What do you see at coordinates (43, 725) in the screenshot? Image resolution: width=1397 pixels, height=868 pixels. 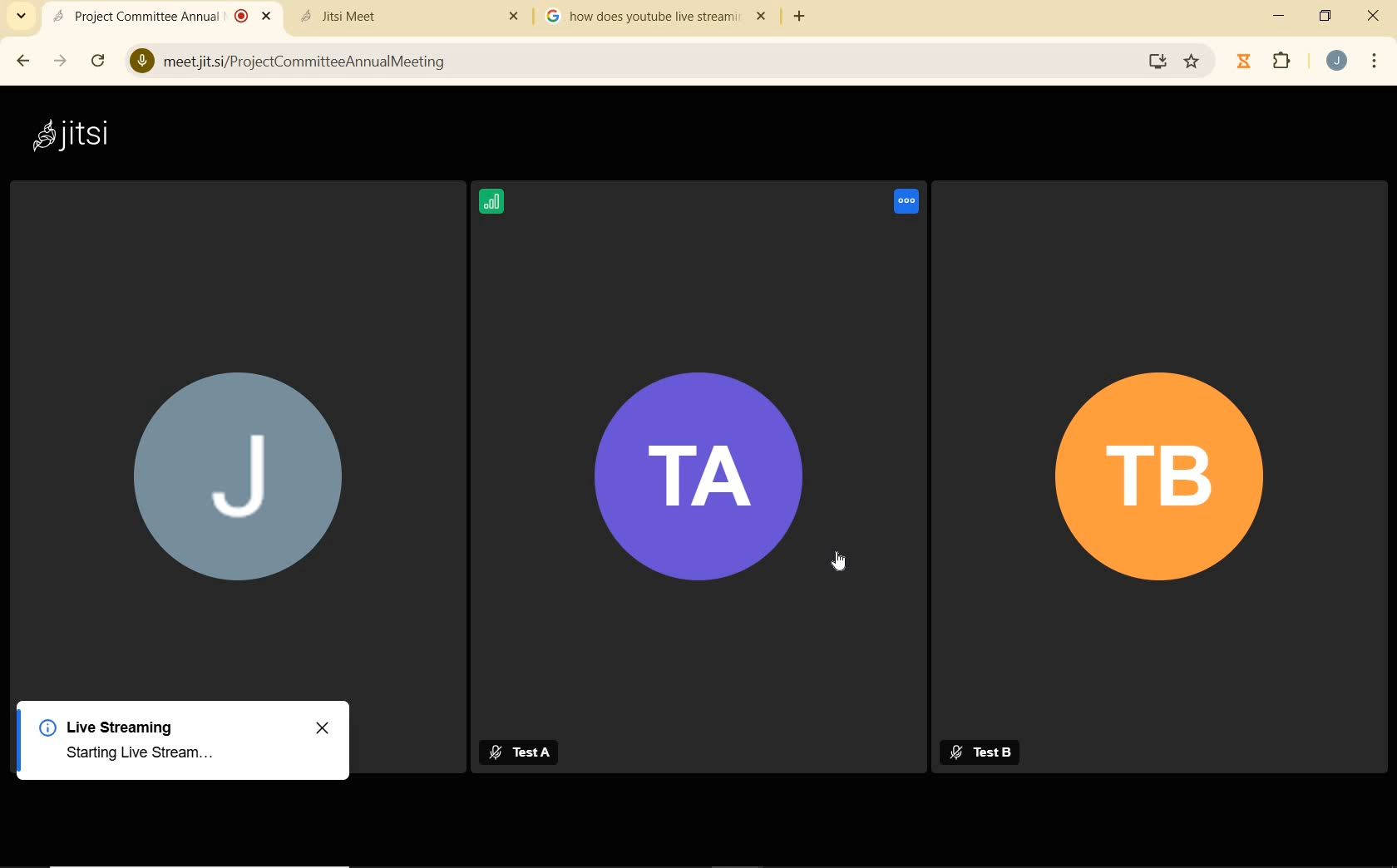 I see `Info` at bounding box center [43, 725].